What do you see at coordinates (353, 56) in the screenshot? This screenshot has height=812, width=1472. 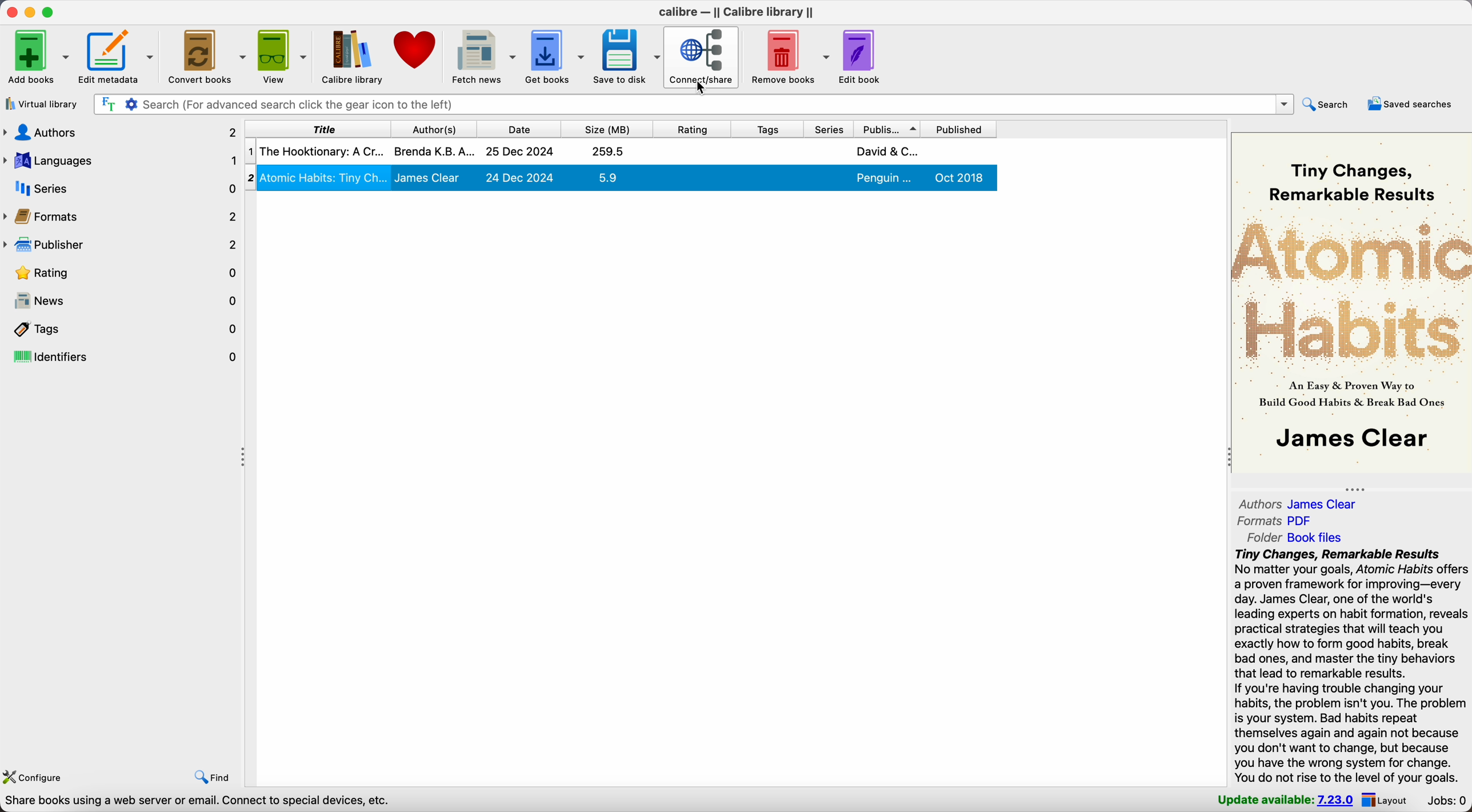 I see `Calibre library` at bounding box center [353, 56].